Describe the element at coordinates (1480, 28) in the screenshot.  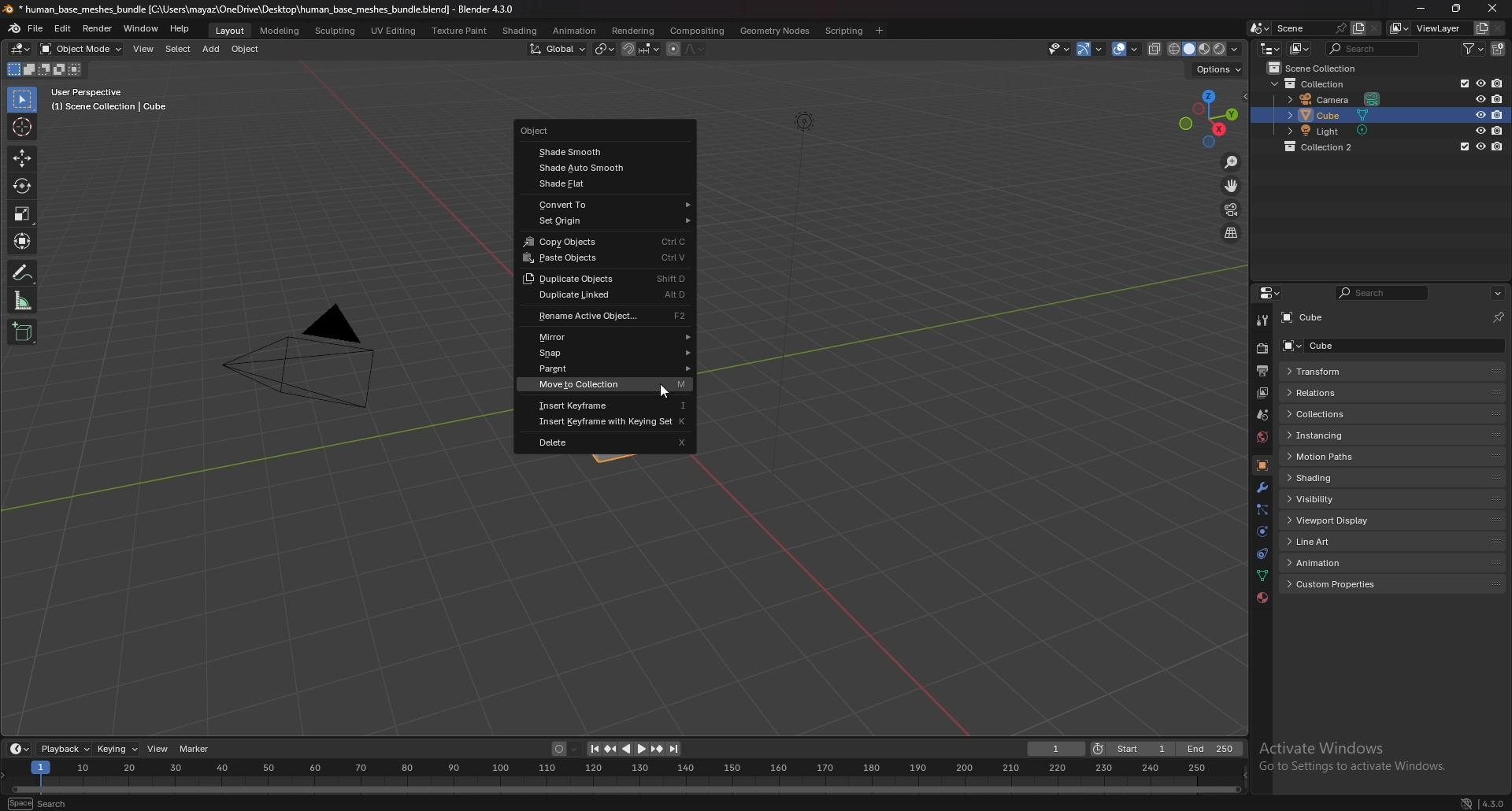
I see `add view layer` at that location.